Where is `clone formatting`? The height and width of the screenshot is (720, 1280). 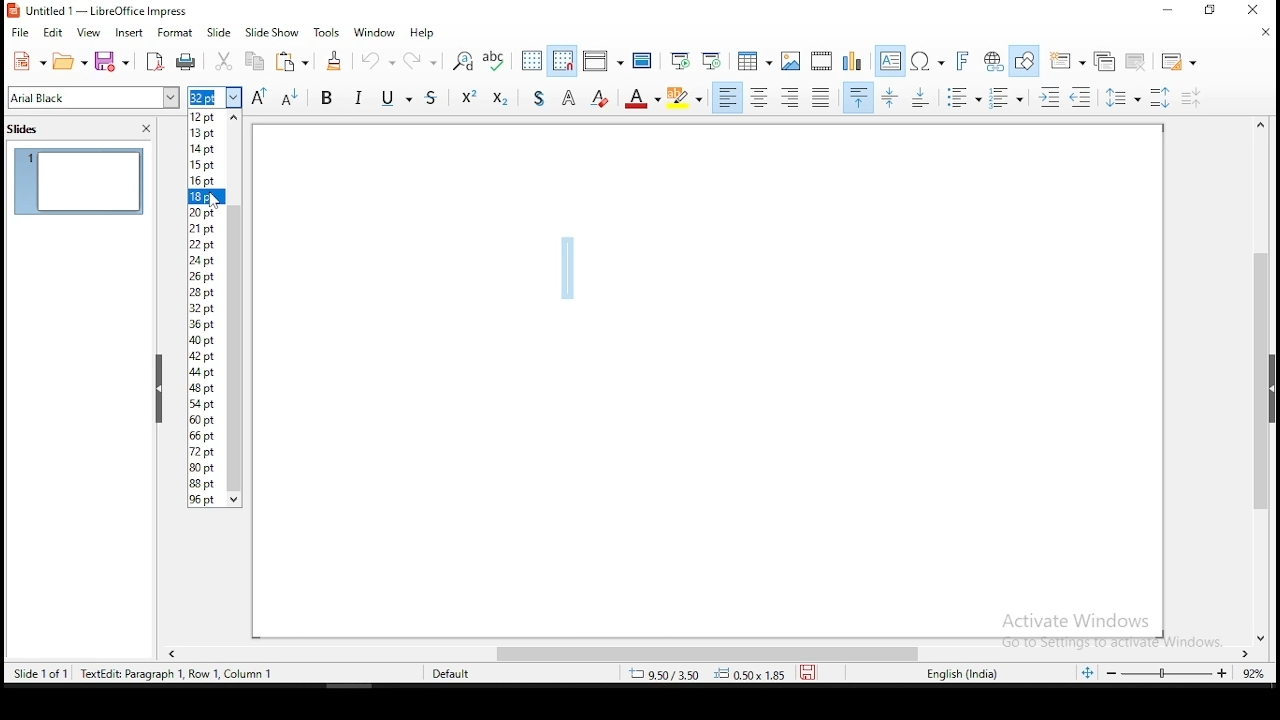
clone formatting is located at coordinates (336, 60).